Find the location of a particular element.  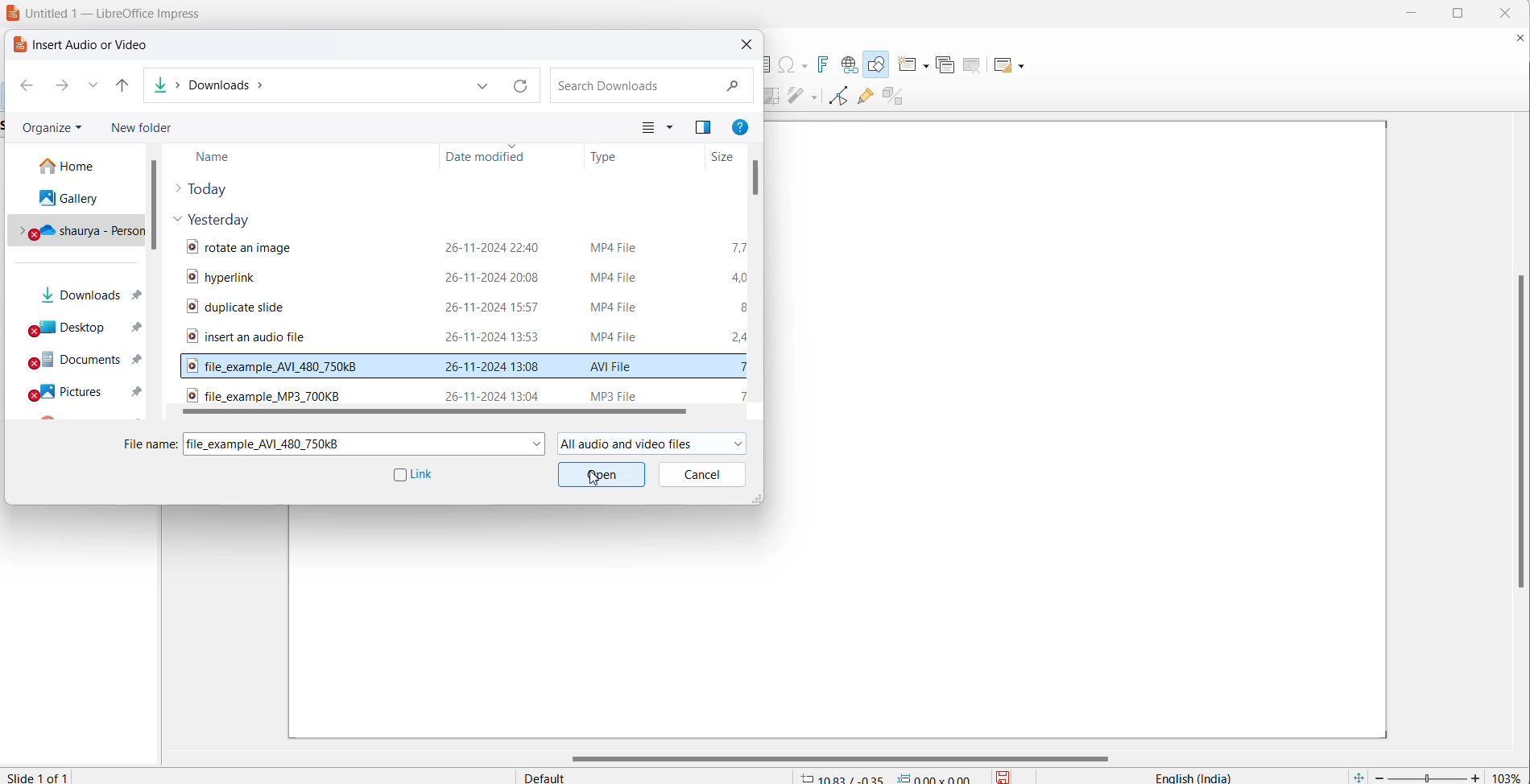

cursor and selection coordinates is located at coordinates (889, 774).